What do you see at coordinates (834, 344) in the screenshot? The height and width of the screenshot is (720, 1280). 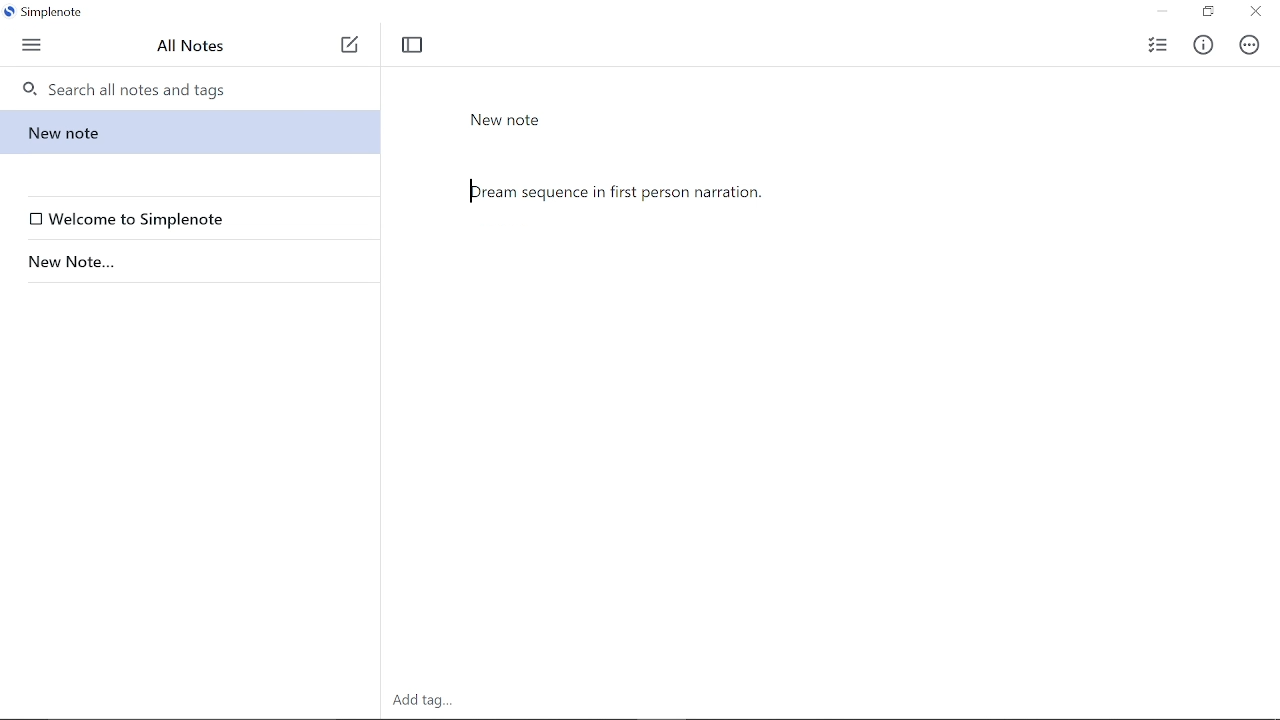 I see `Dream sequence in first person narration.` at bounding box center [834, 344].